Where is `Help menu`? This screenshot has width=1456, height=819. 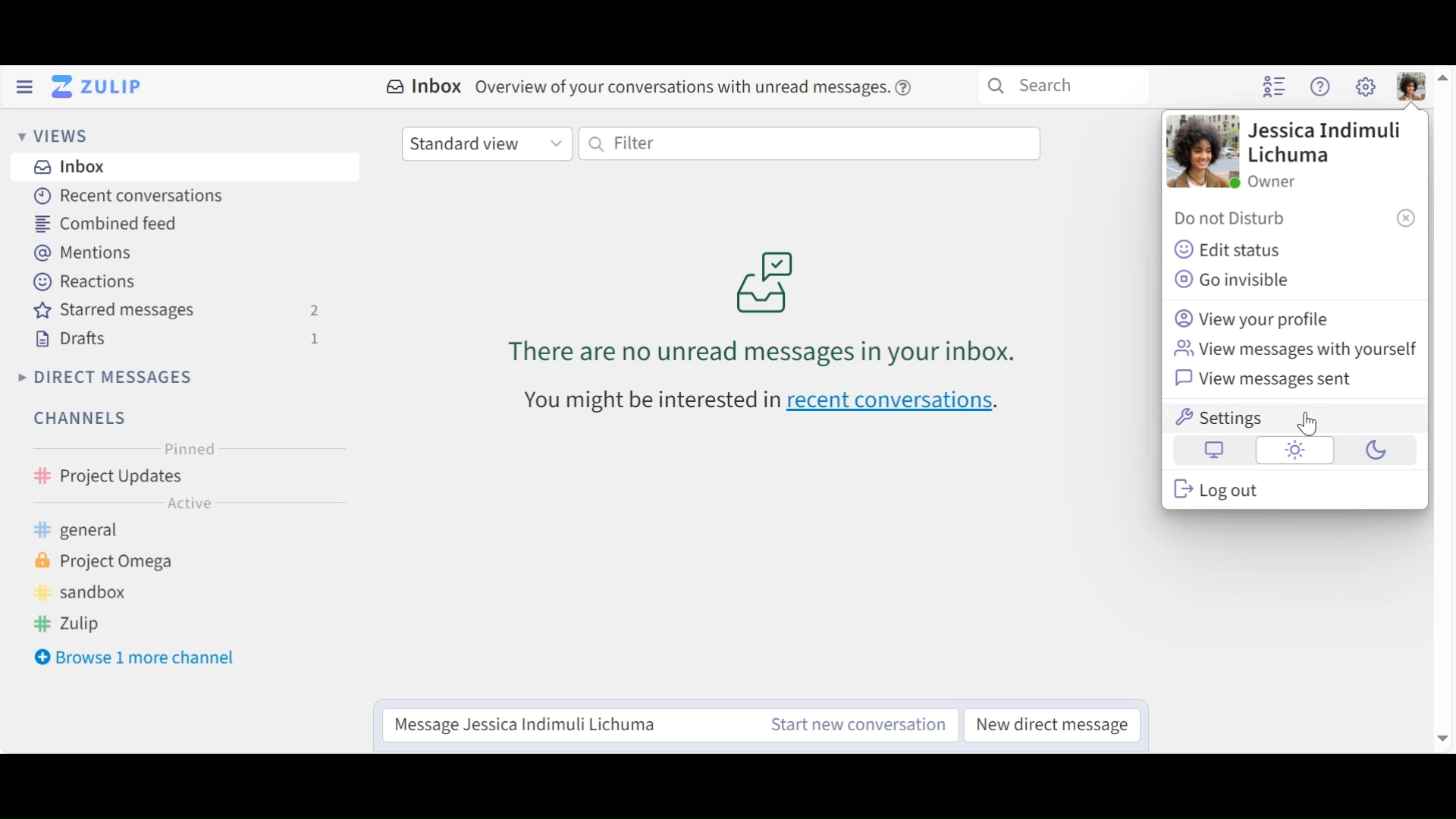 Help menu is located at coordinates (1321, 86).